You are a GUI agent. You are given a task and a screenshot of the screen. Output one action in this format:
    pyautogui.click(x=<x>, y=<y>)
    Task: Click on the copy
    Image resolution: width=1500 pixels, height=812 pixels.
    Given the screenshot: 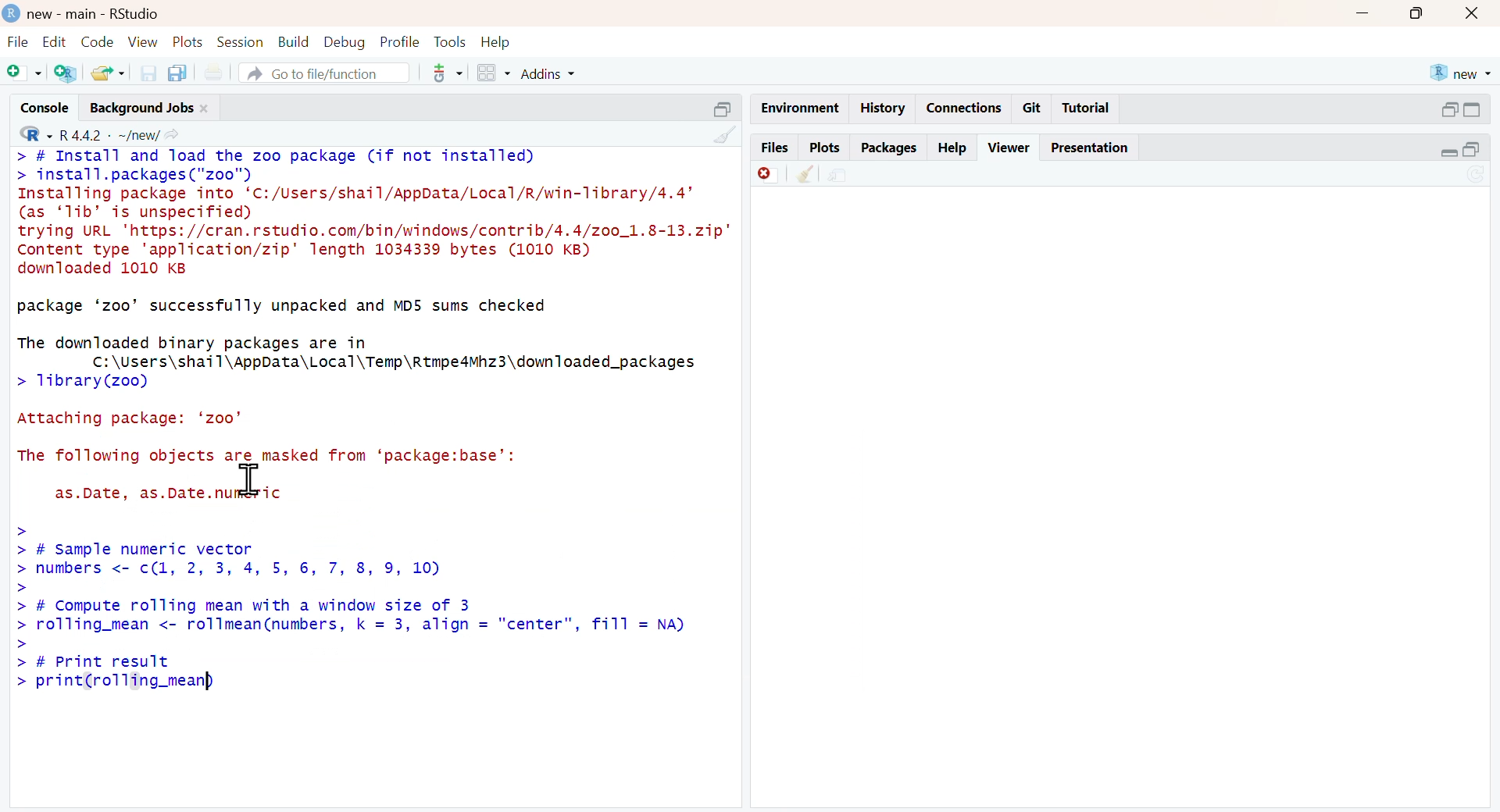 What is the action you would take?
    pyautogui.click(x=178, y=71)
    